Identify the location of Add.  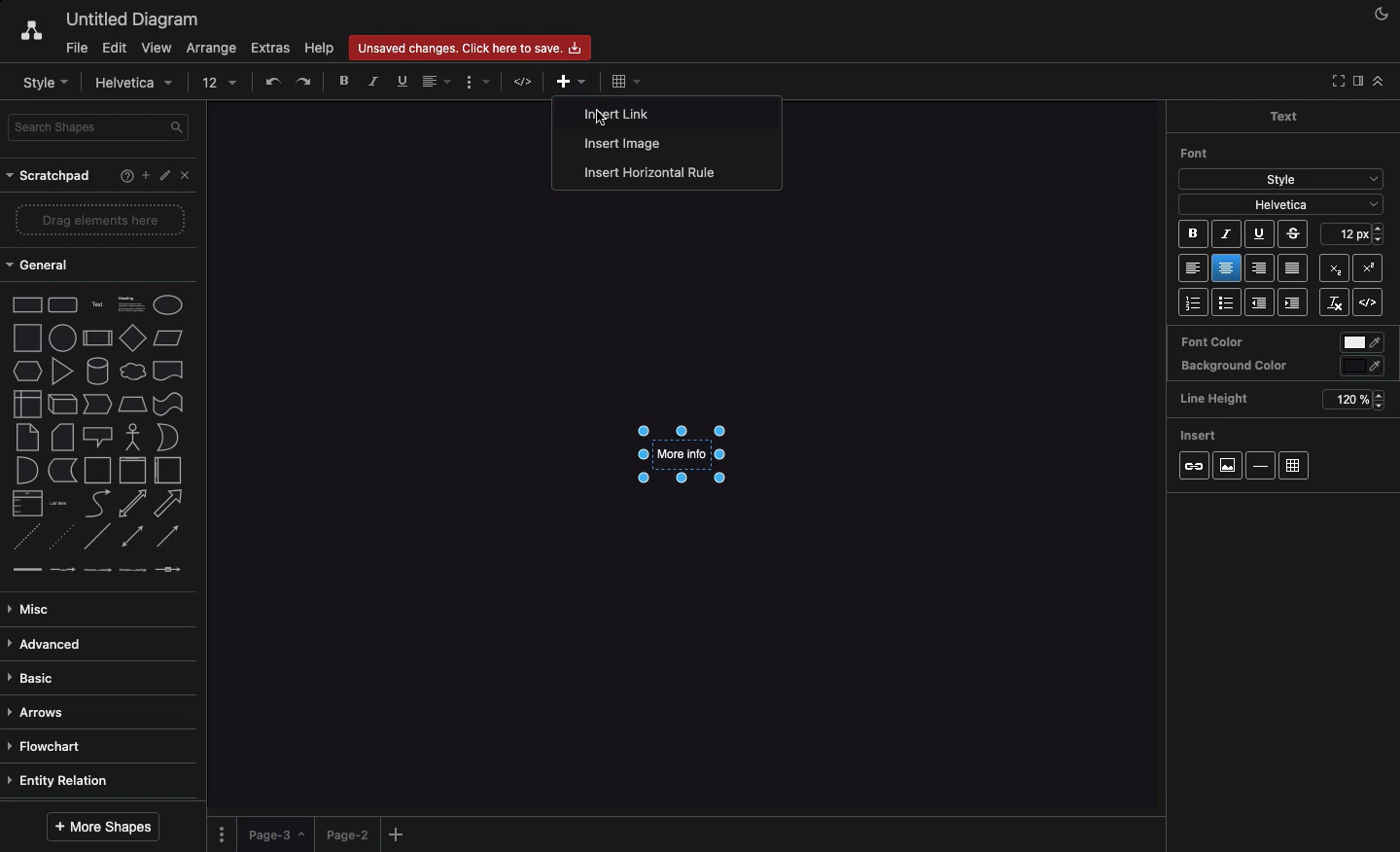
(564, 83).